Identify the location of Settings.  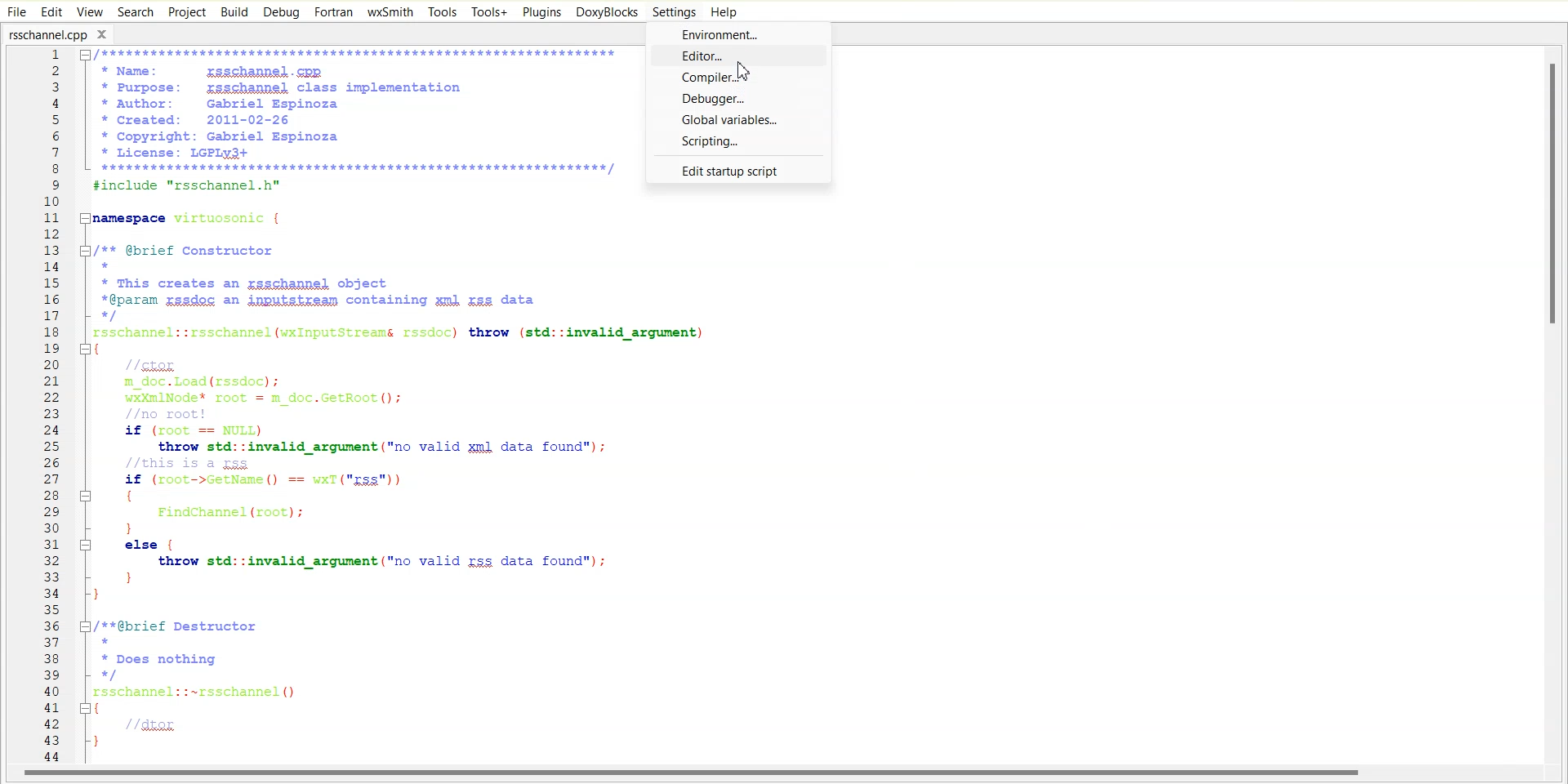
(675, 11).